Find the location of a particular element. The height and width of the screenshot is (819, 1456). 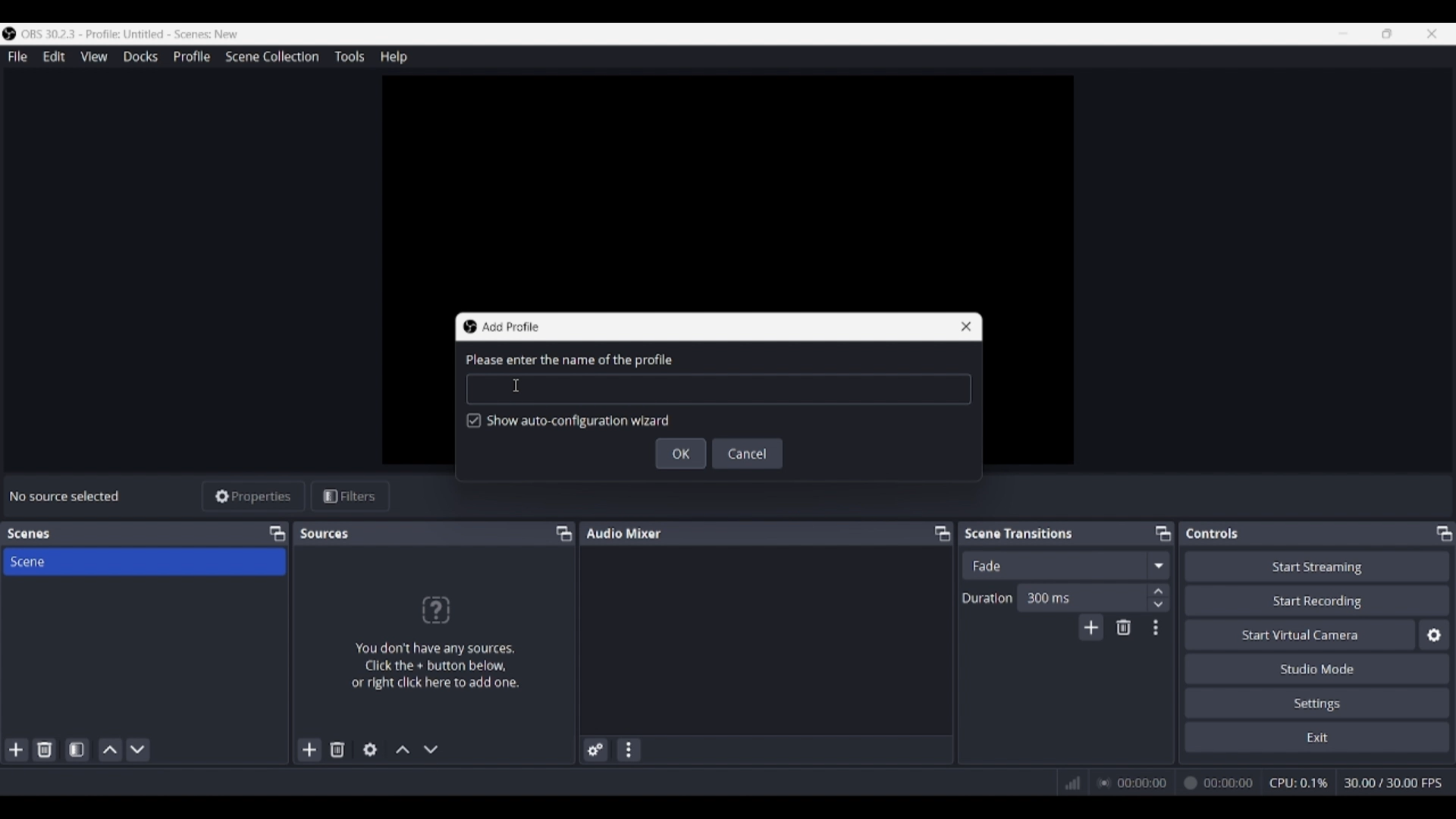

Float controls panel is located at coordinates (1444, 533).